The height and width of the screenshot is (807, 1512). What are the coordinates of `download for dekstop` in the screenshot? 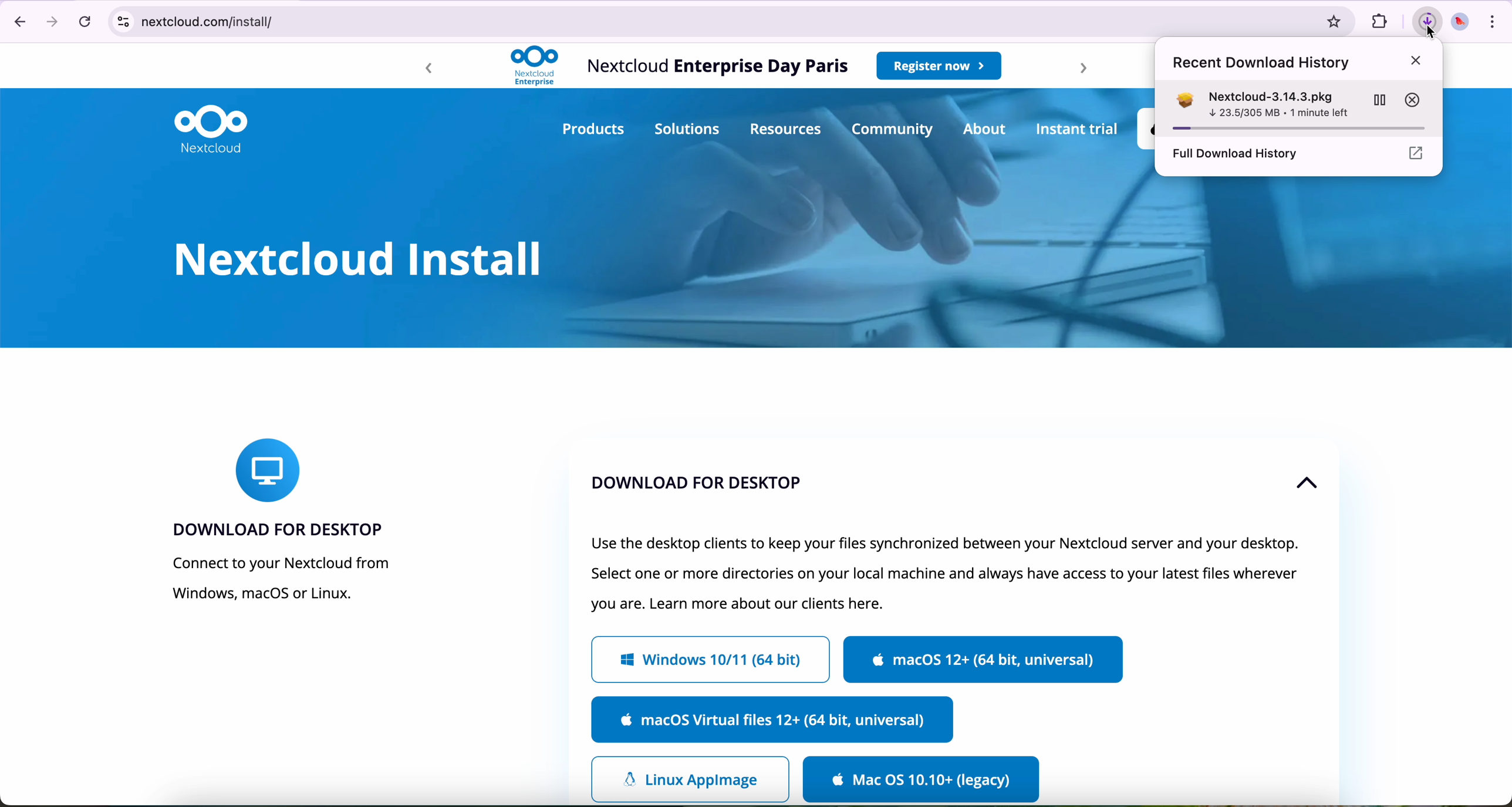 It's located at (727, 487).